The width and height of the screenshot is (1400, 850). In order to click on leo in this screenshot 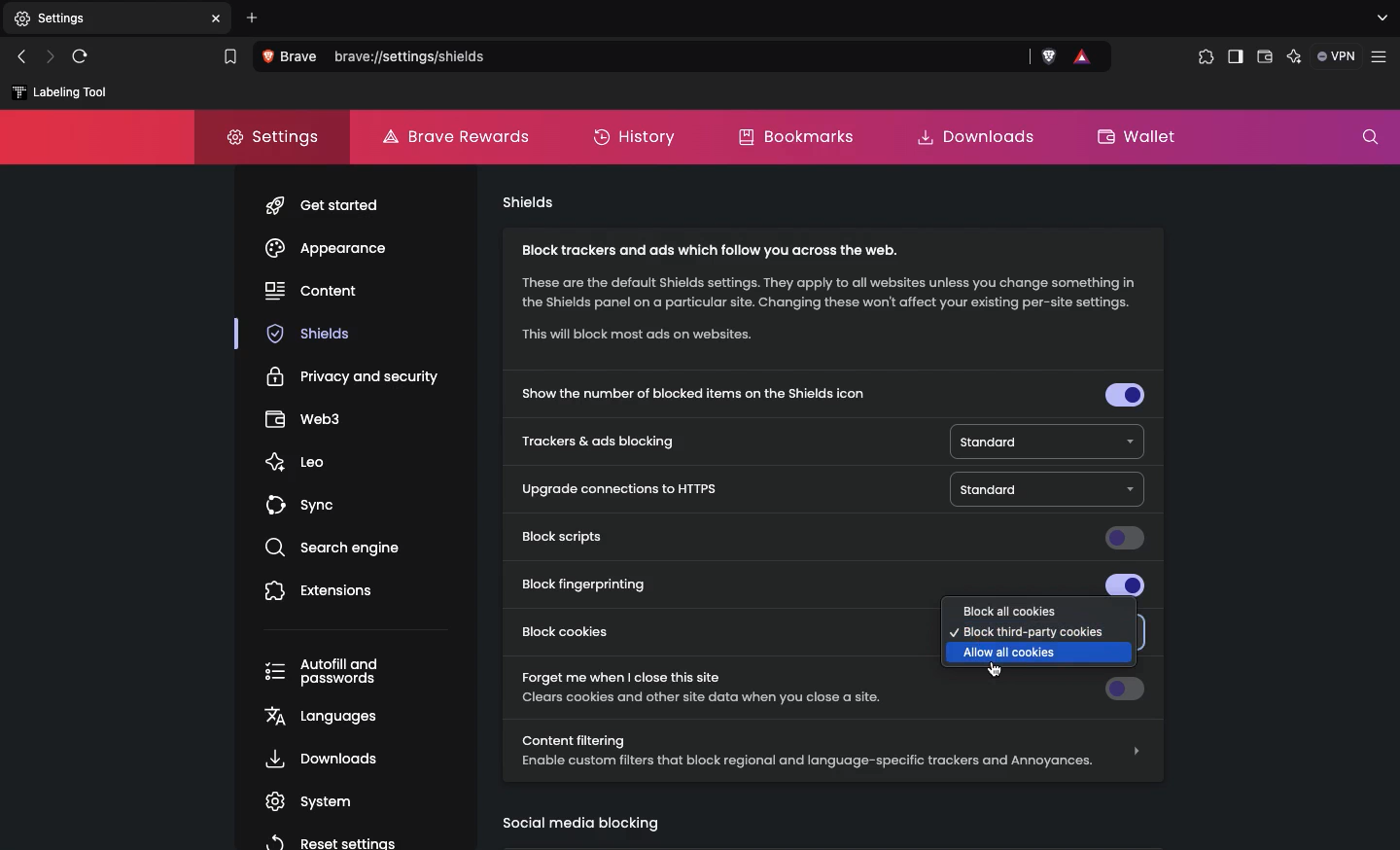, I will do `click(299, 464)`.